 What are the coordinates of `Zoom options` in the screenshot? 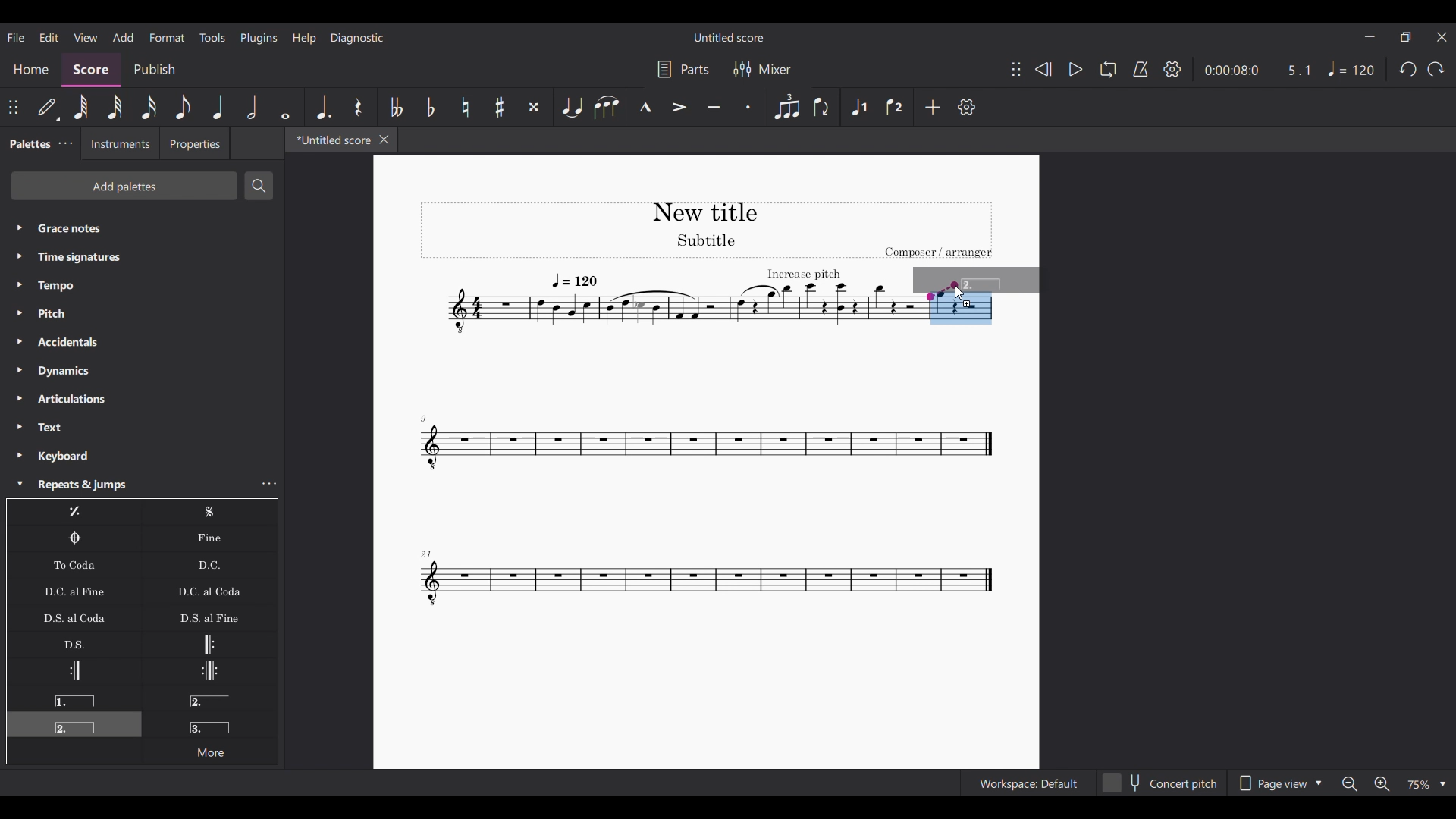 It's located at (1425, 785).